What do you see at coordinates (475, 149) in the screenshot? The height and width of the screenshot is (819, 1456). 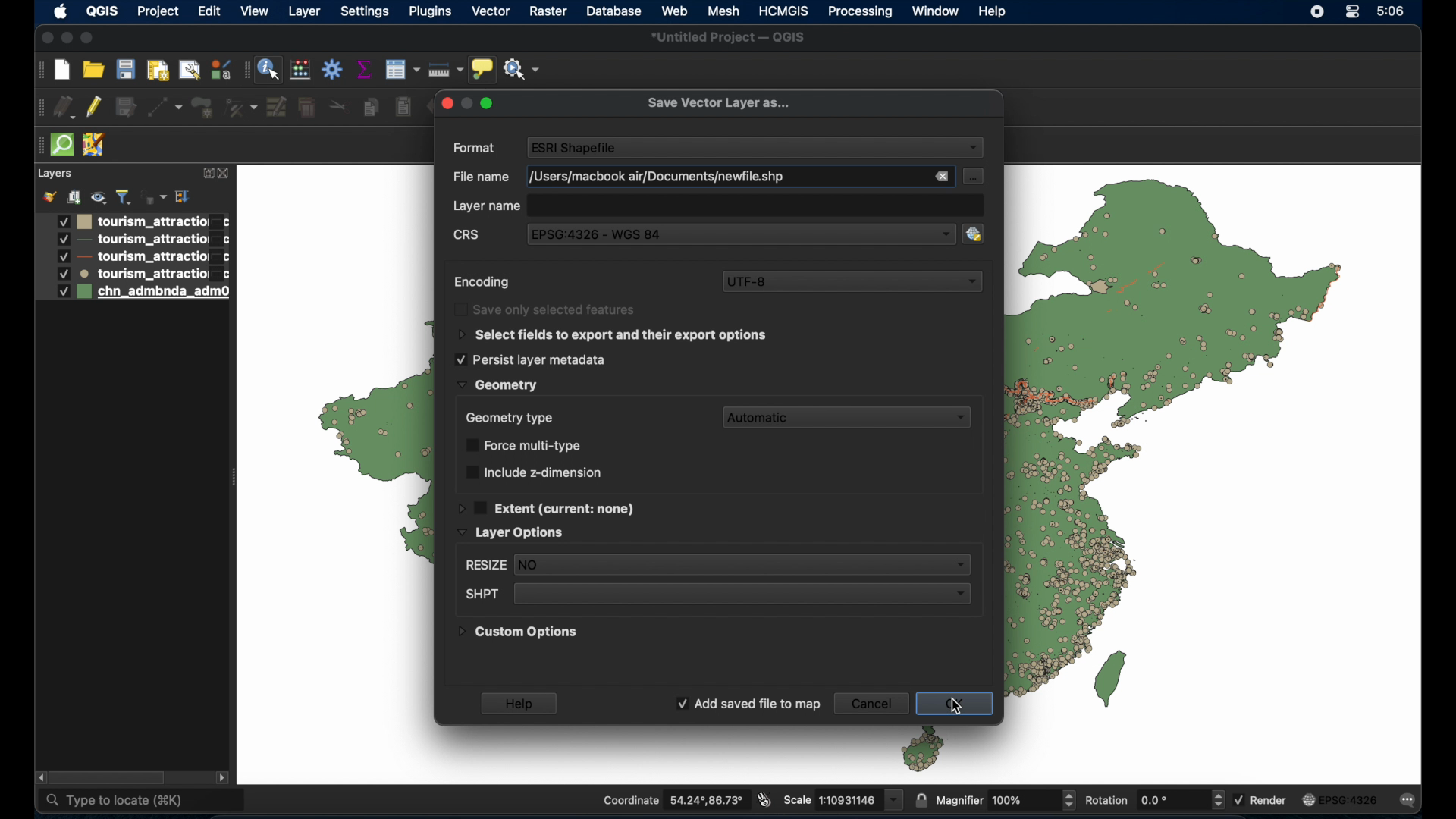 I see `format` at bounding box center [475, 149].